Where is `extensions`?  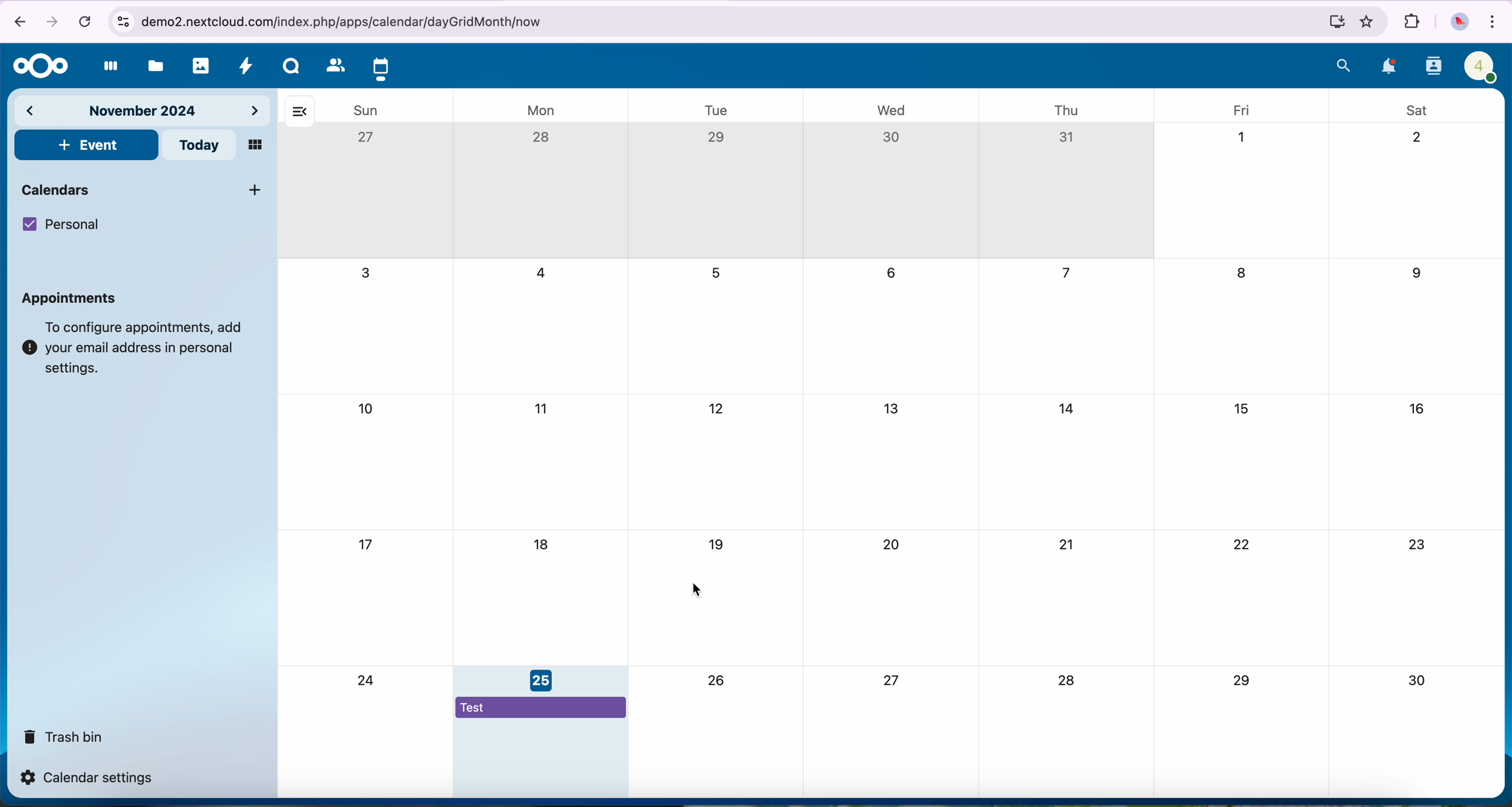 extensions is located at coordinates (1410, 22).